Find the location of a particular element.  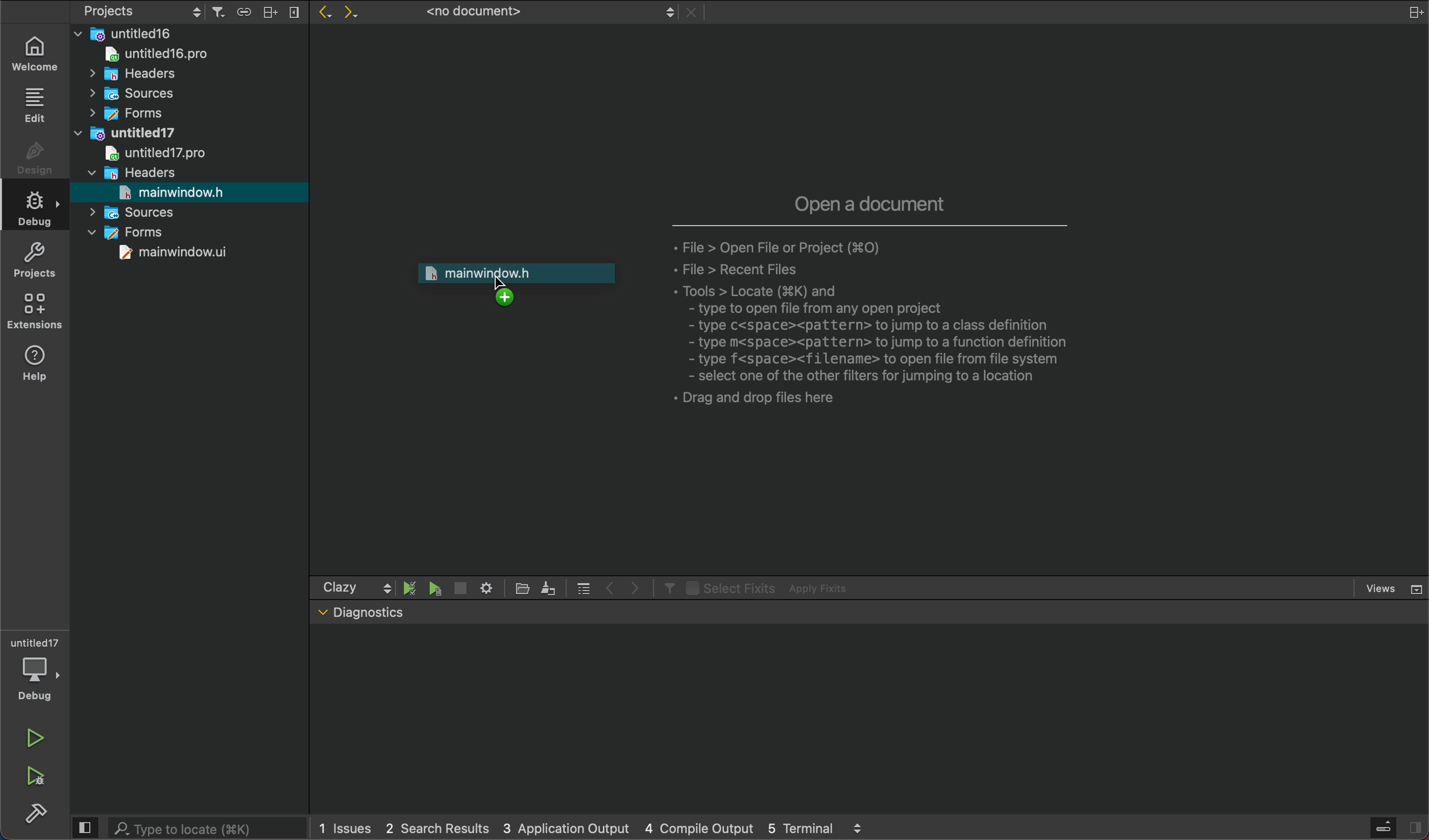

scroll is located at coordinates (387, 587).